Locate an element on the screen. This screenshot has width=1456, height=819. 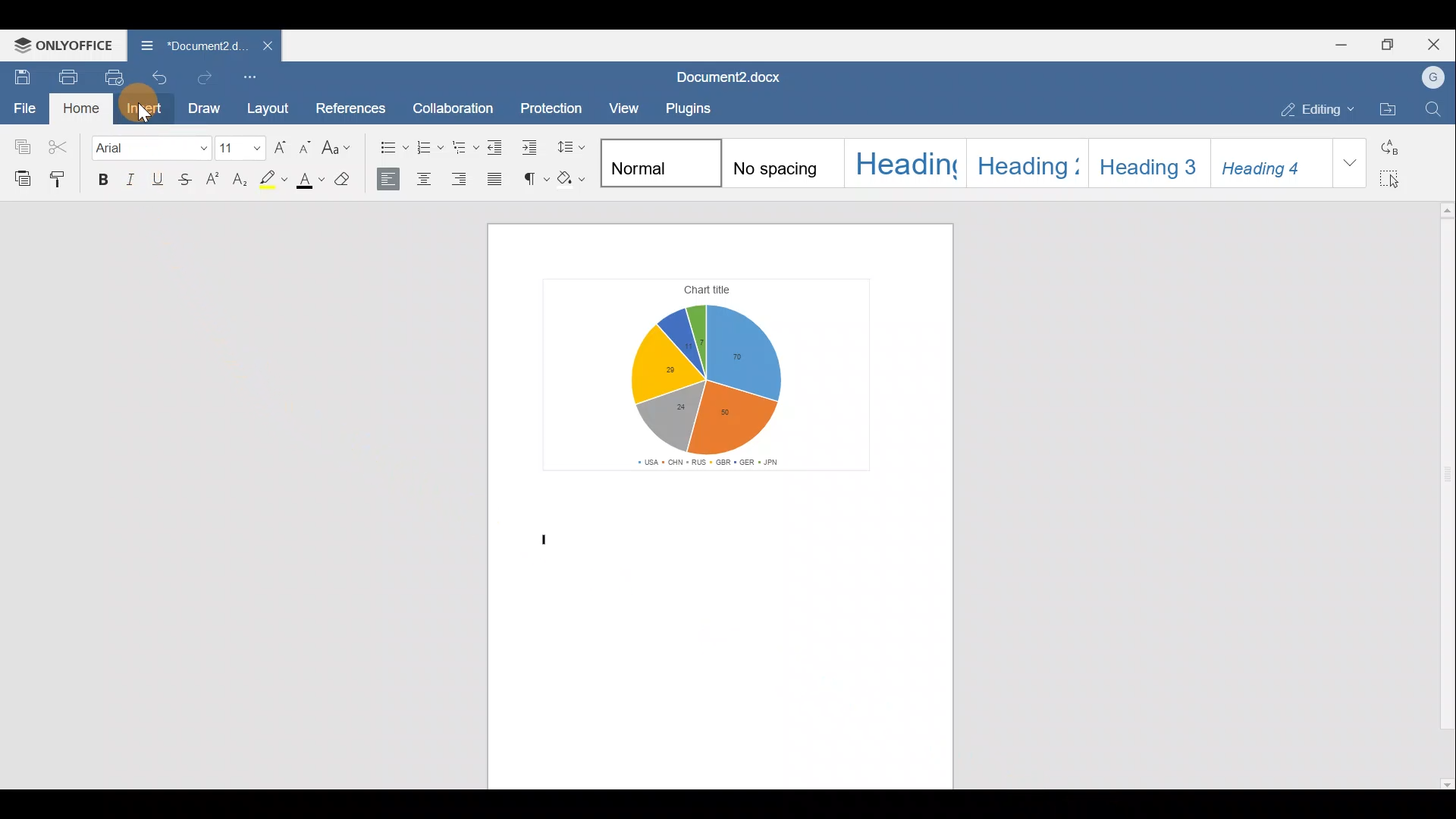
Bullets is located at coordinates (386, 148).